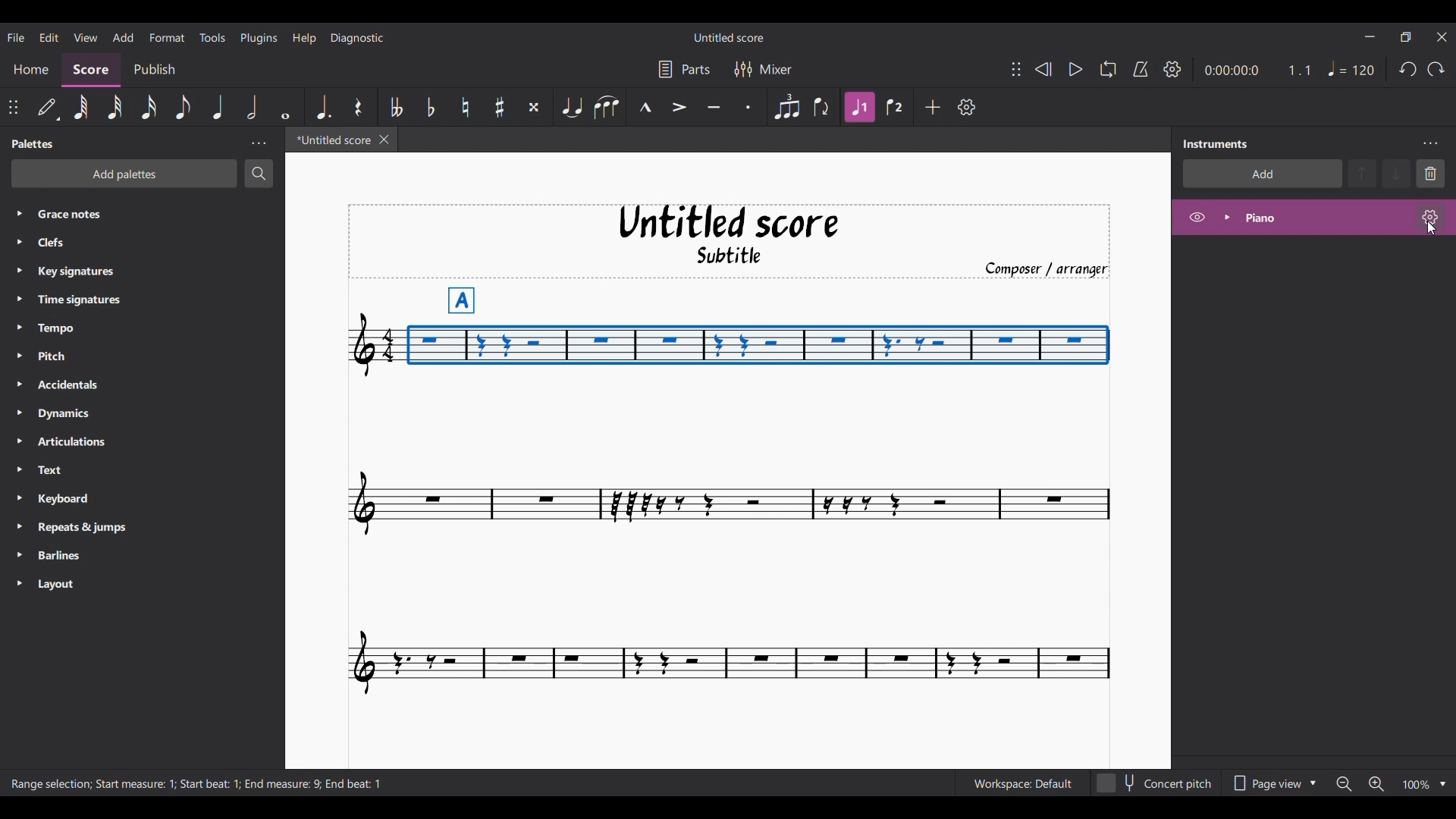 The height and width of the screenshot is (819, 1456). Describe the element at coordinates (1227, 218) in the screenshot. I see `Expand instrument` at that location.